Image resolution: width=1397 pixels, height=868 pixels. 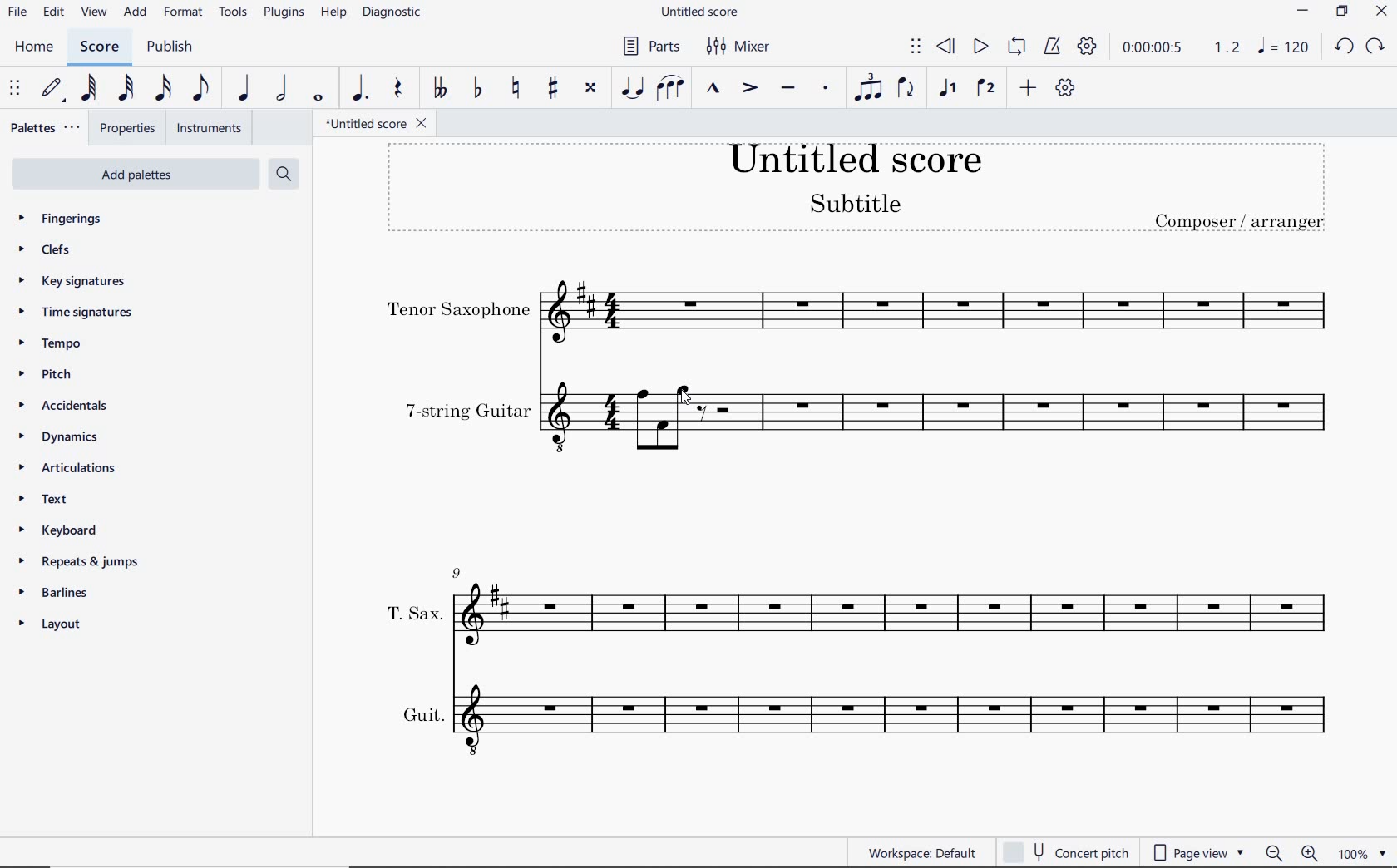 What do you see at coordinates (280, 89) in the screenshot?
I see `HALF NOTE` at bounding box center [280, 89].